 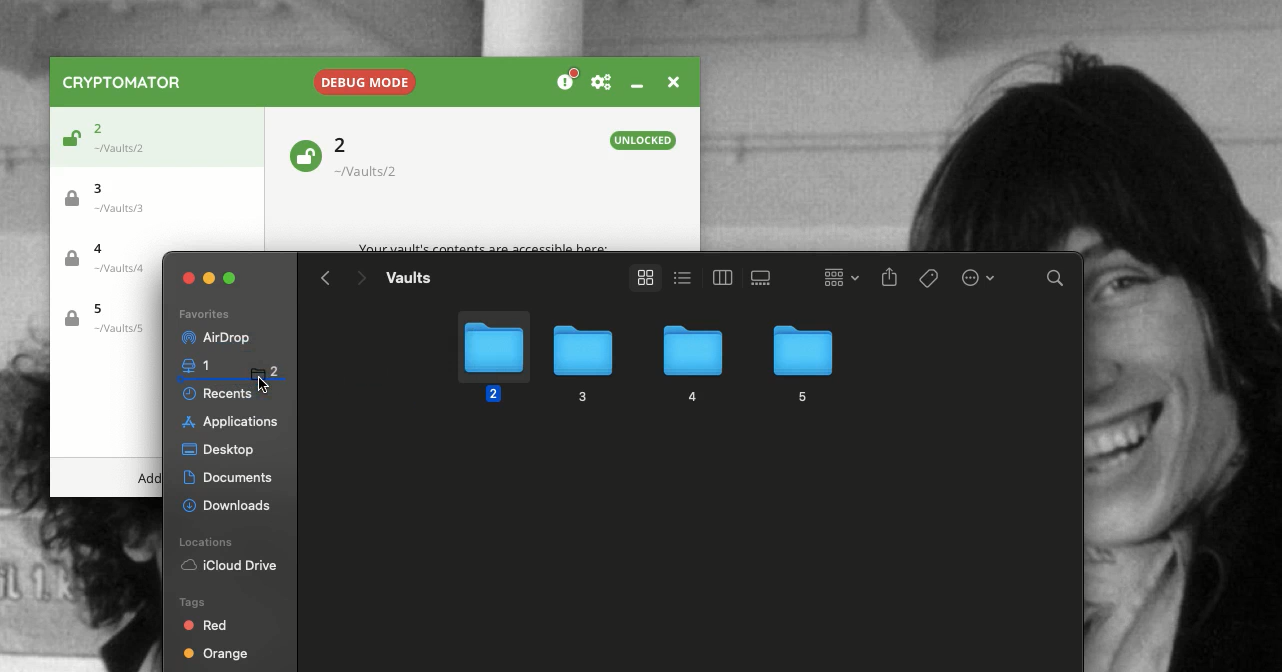 What do you see at coordinates (229, 567) in the screenshot?
I see `iCloud Drive` at bounding box center [229, 567].